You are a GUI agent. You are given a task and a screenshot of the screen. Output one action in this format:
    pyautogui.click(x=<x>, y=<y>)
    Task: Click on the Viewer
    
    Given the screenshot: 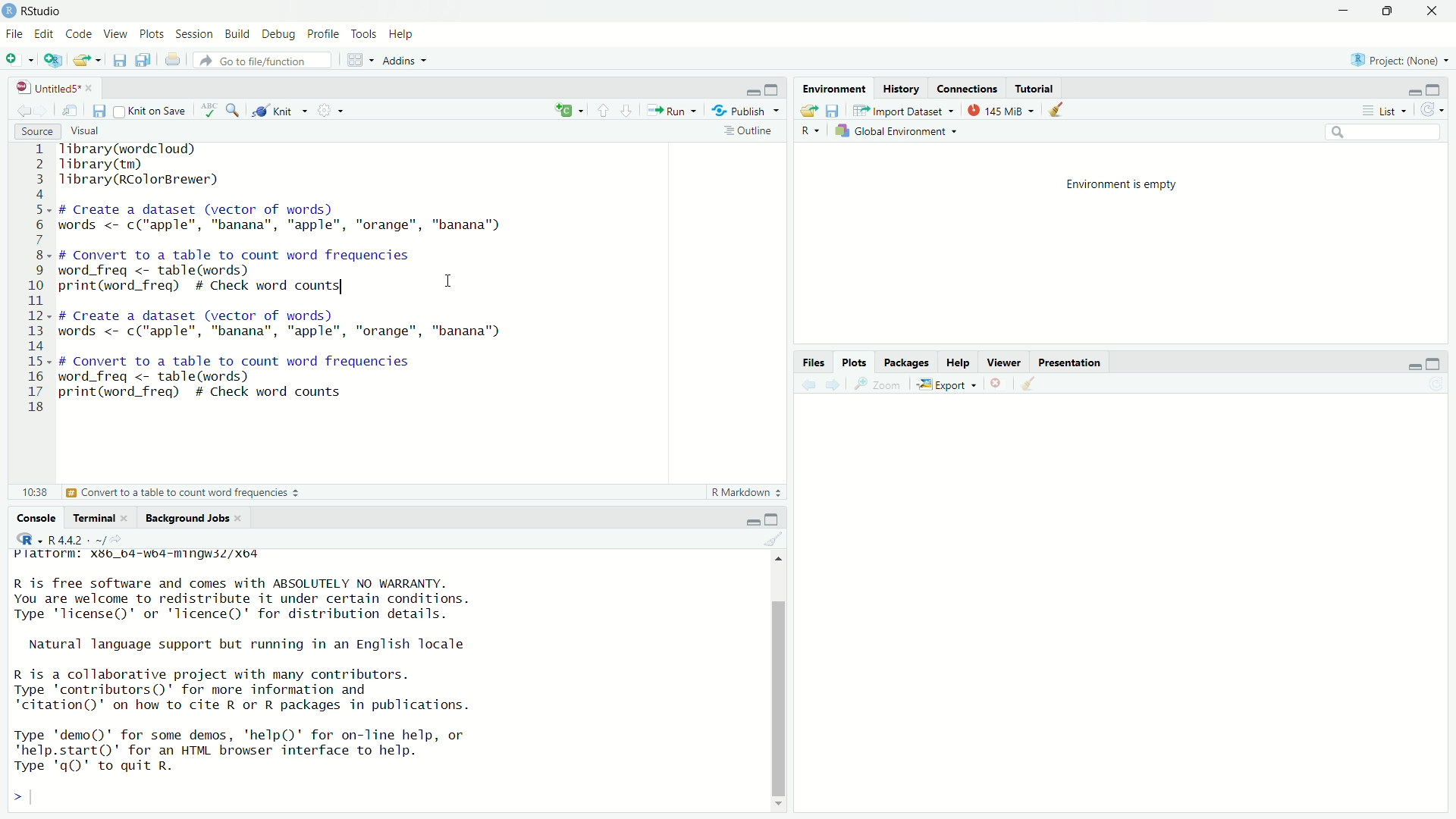 What is the action you would take?
    pyautogui.click(x=1005, y=362)
    